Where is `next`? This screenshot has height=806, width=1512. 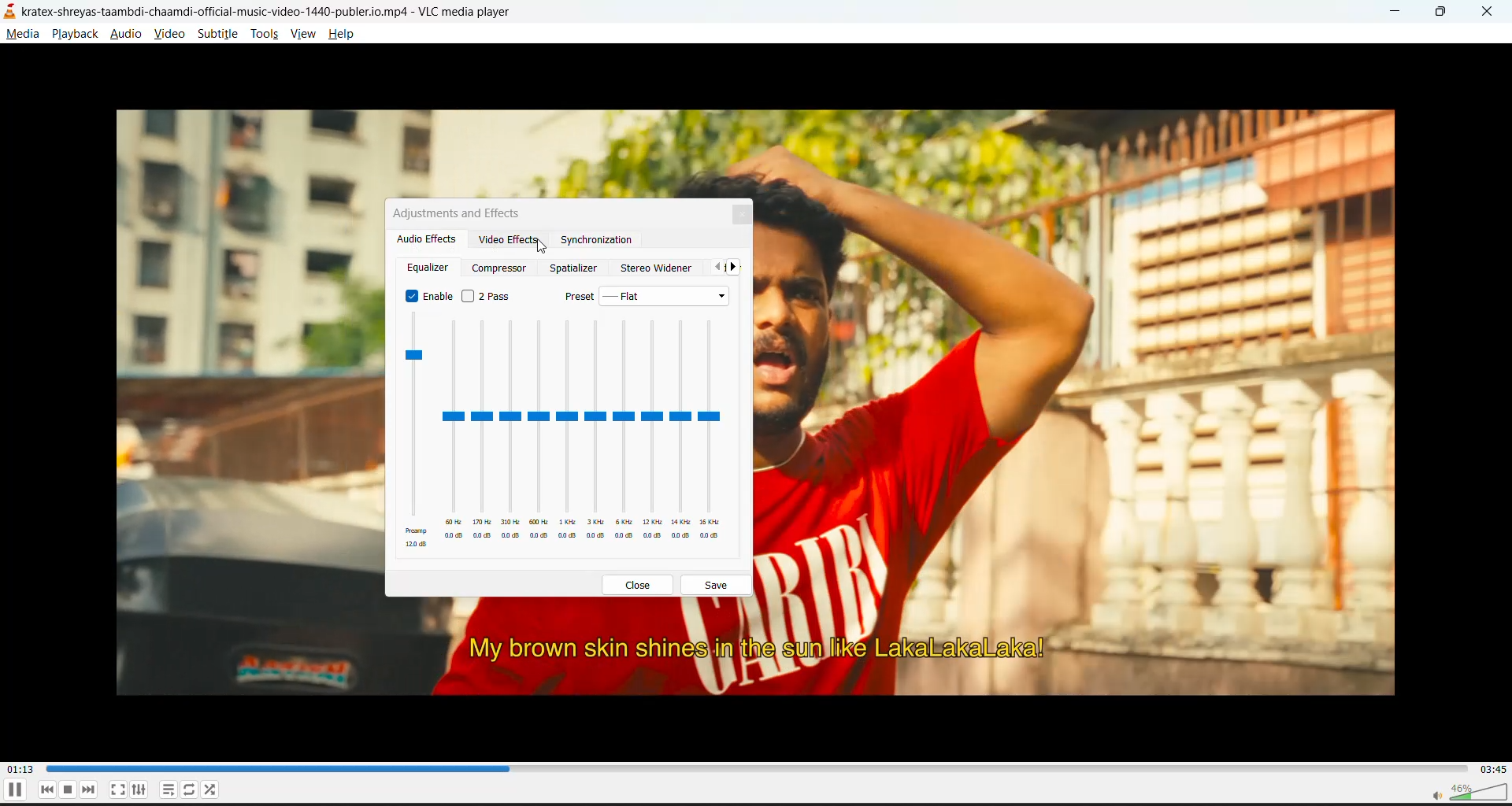 next is located at coordinates (91, 792).